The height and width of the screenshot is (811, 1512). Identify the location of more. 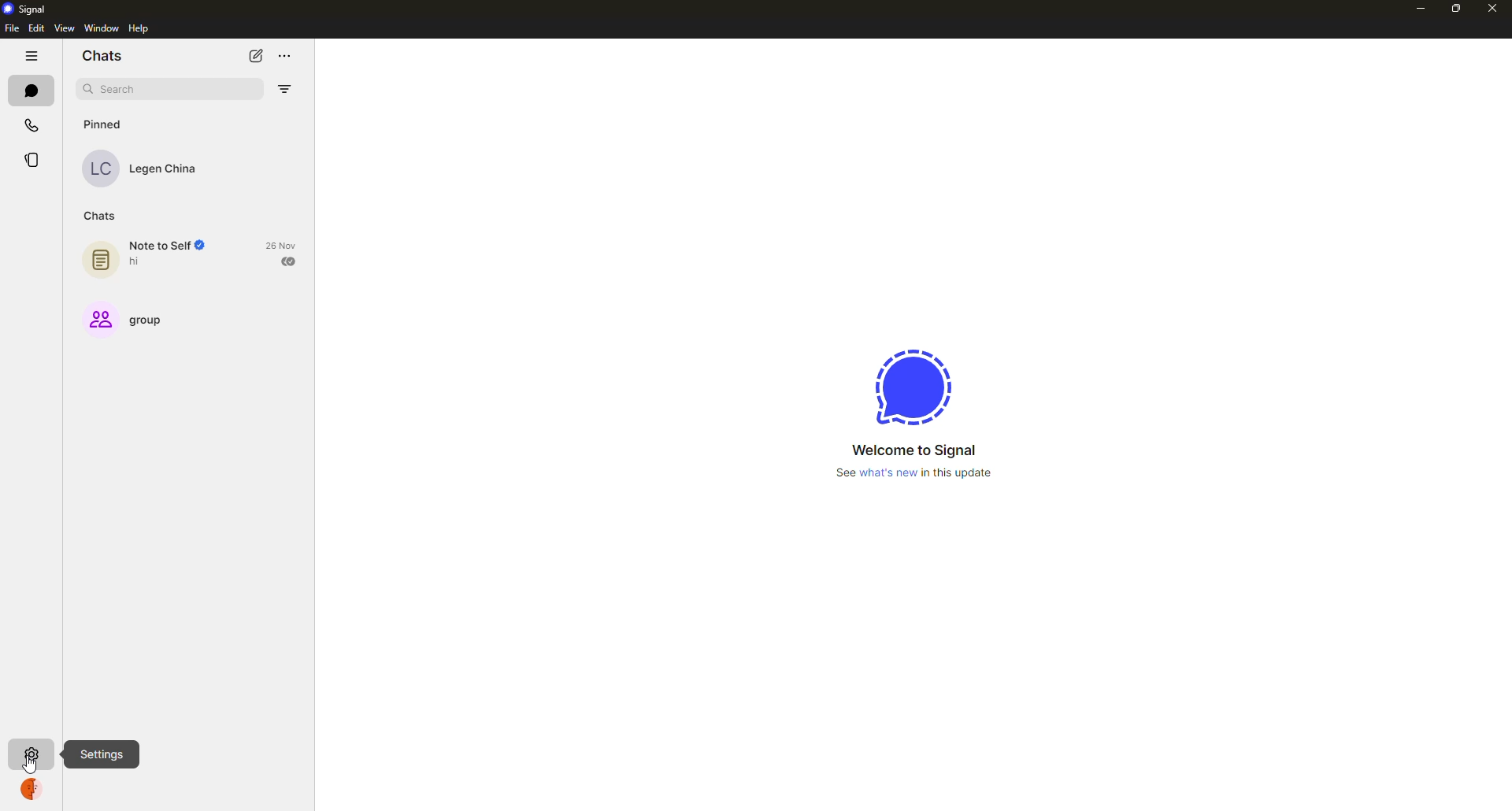
(284, 54).